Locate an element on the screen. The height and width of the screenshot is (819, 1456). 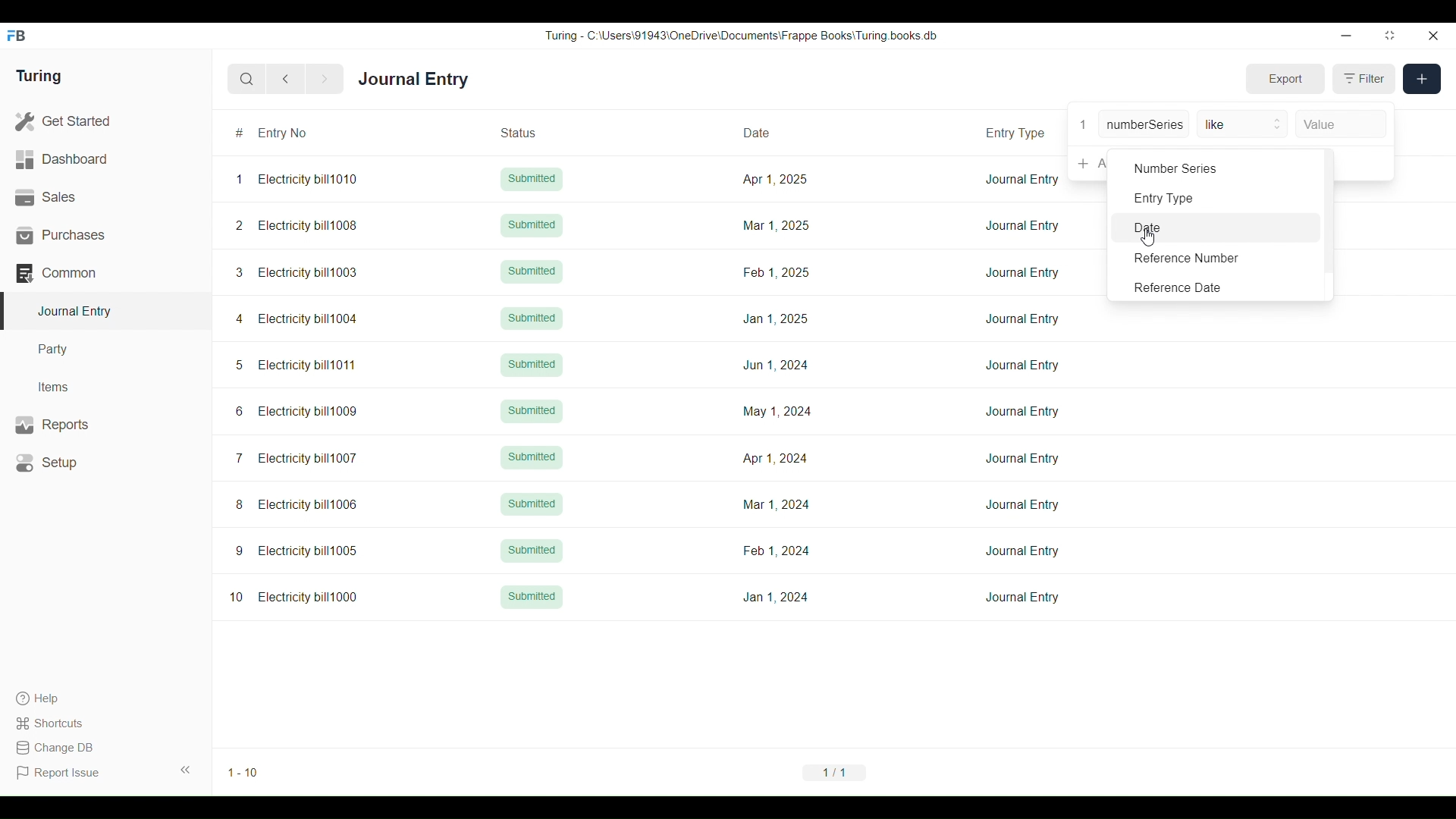
Submitted is located at coordinates (531, 318).